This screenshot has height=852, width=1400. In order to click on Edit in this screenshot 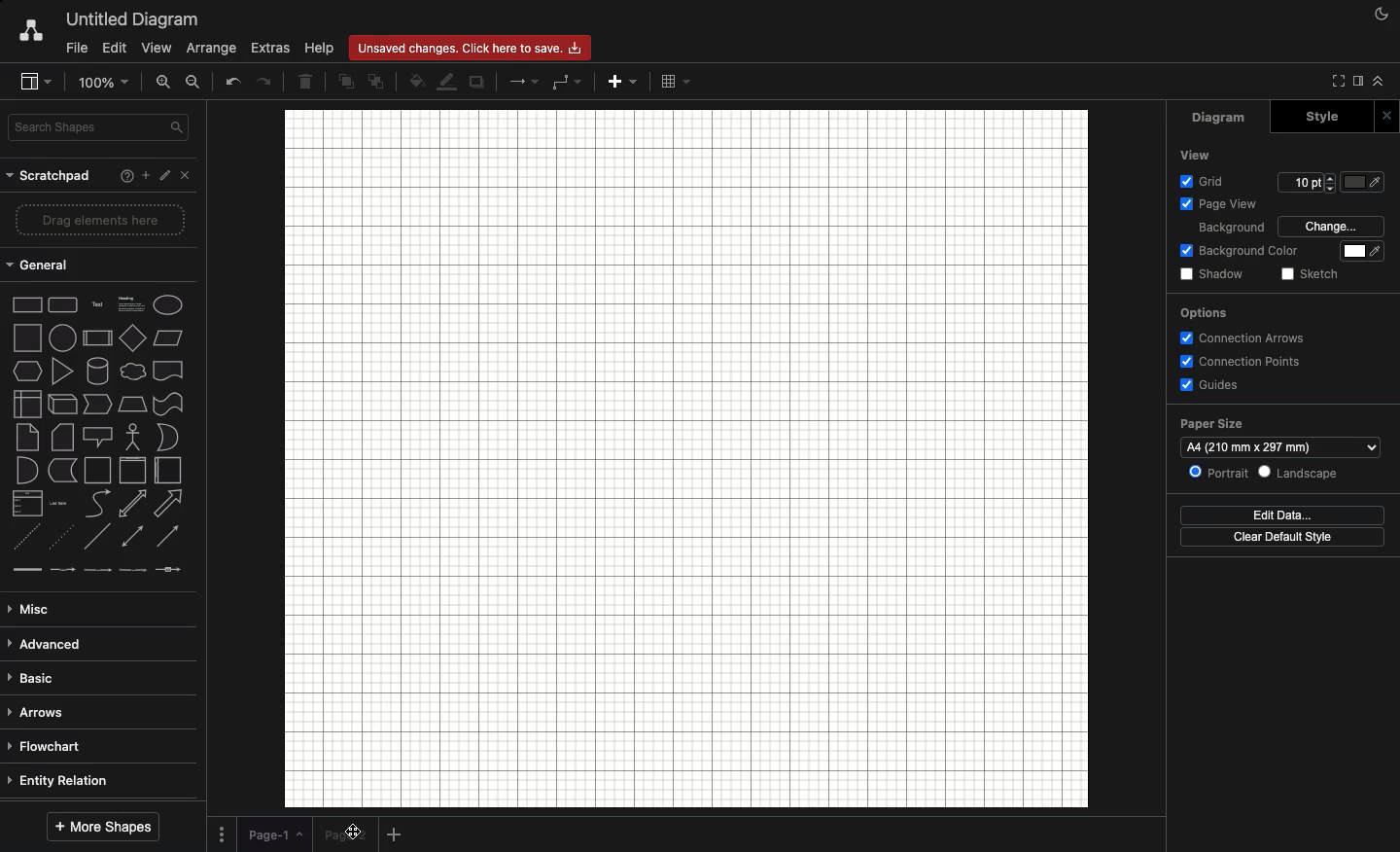, I will do `click(164, 175)`.